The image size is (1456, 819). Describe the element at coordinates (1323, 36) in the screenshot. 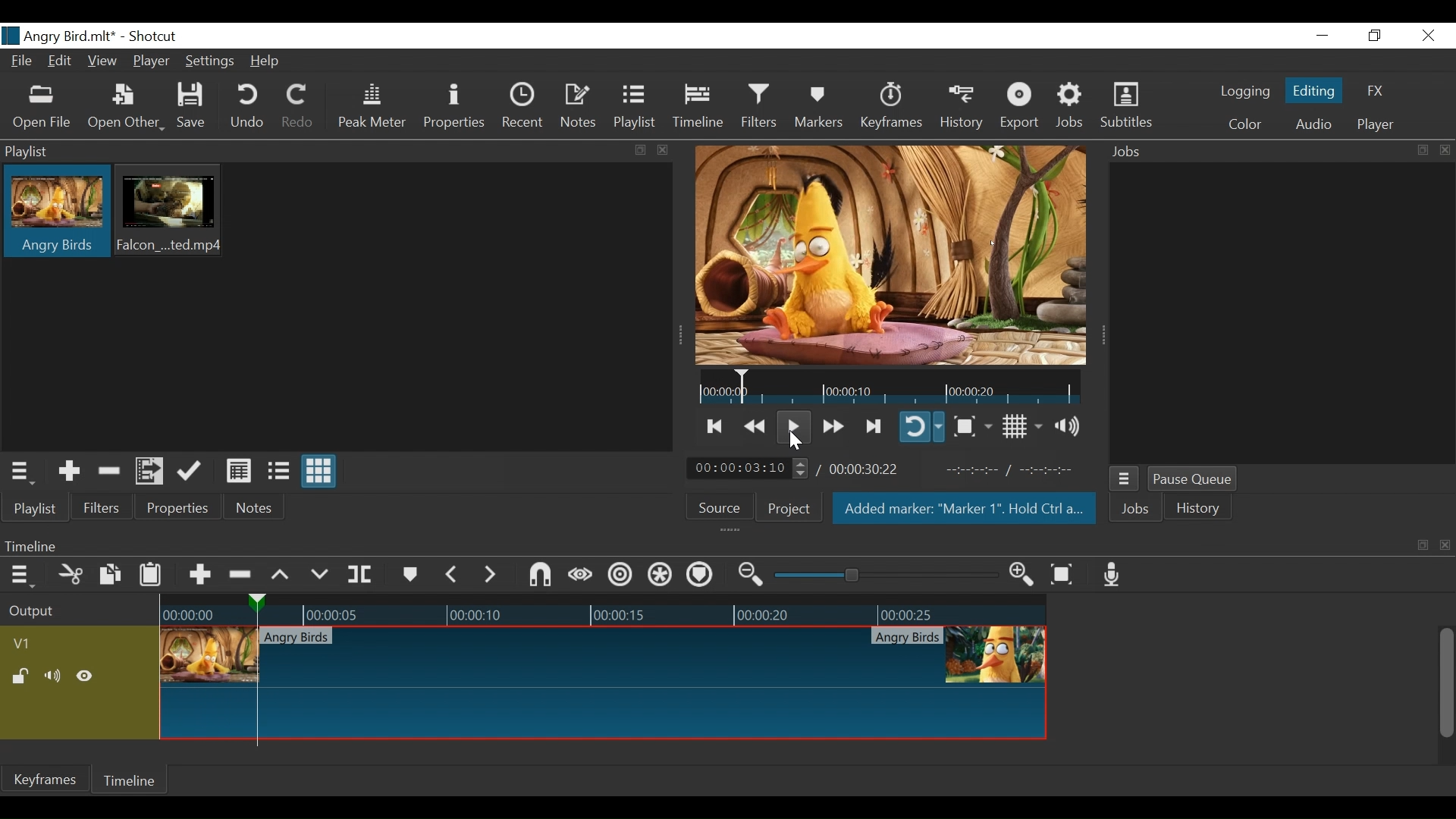

I see `Minimize` at that location.